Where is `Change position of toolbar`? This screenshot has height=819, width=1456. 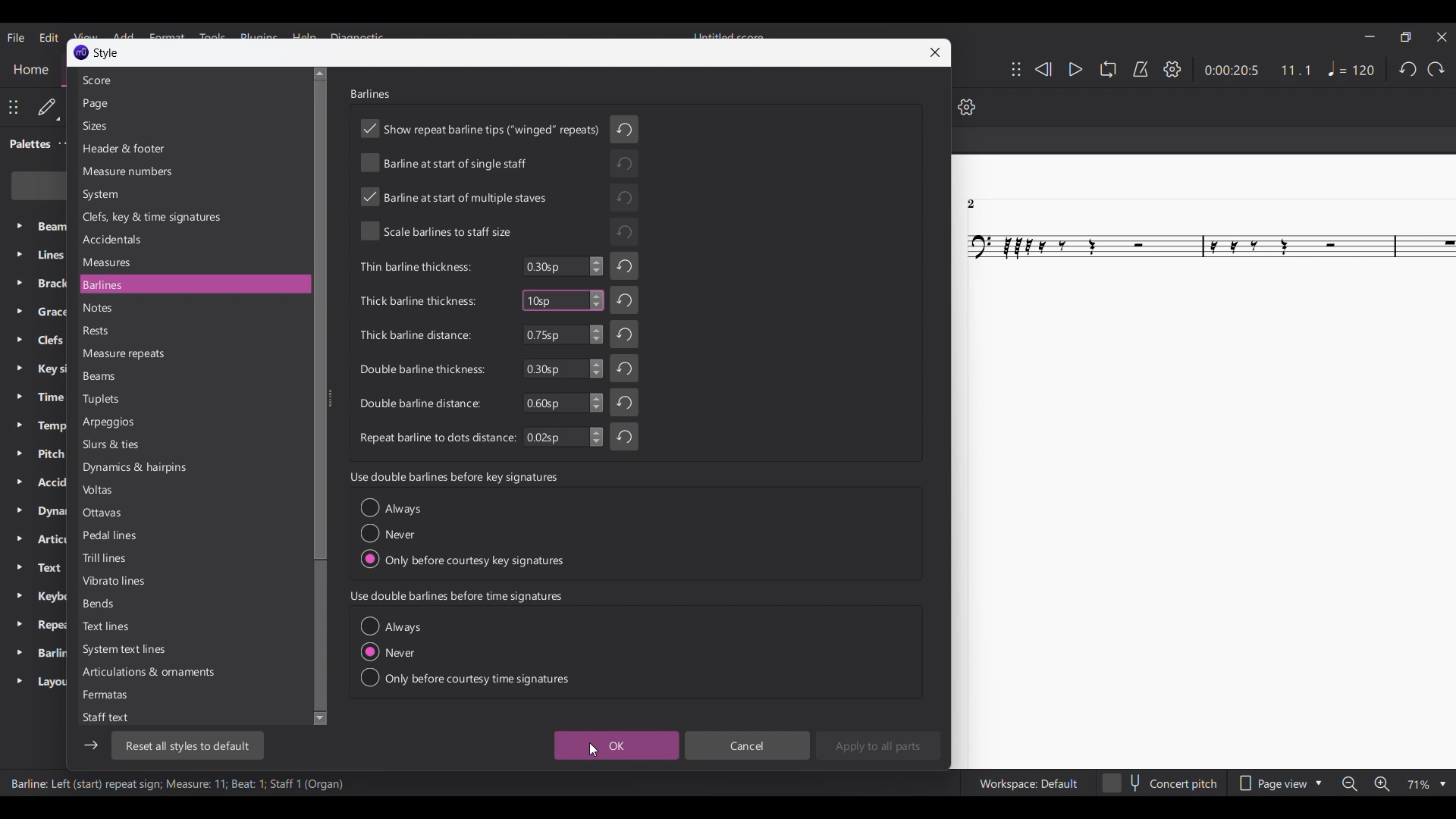
Change position of toolbar is located at coordinates (1016, 69).